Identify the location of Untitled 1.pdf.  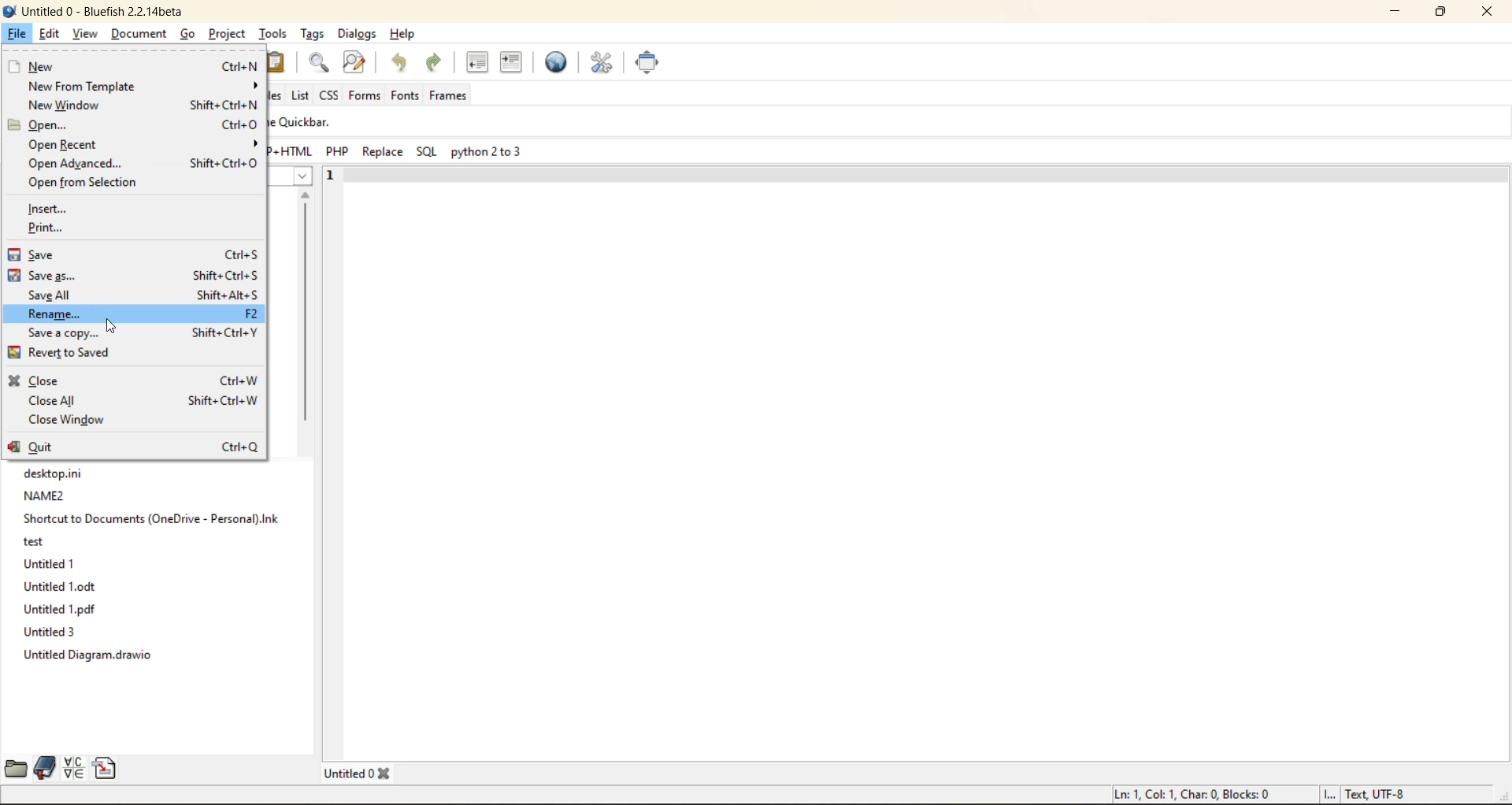
(61, 610).